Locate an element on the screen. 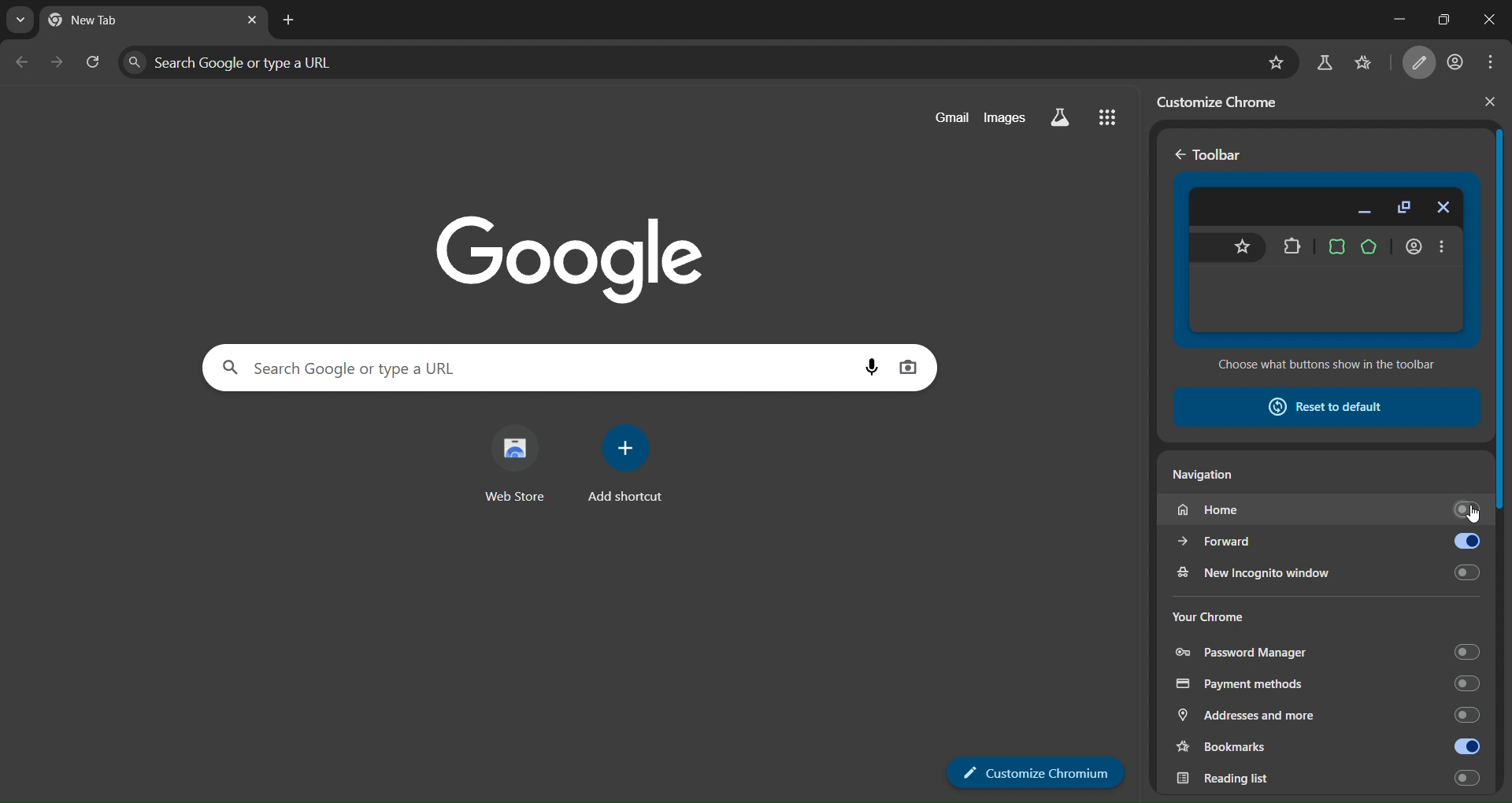 Image resolution: width=1512 pixels, height=803 pixels. google apps is located at coordinates (1115, 120).